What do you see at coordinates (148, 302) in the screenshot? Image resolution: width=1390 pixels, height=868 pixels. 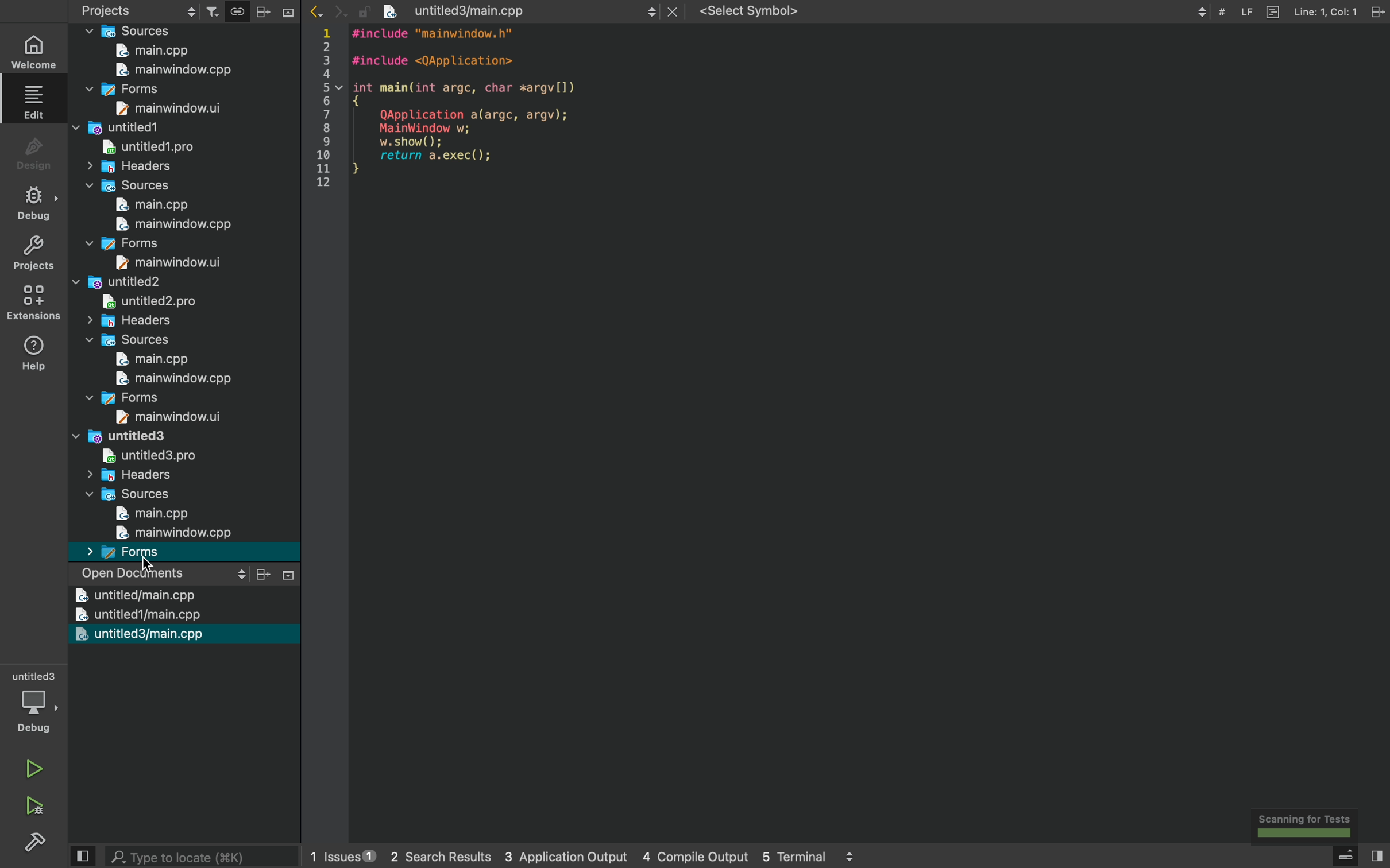 I see `untitled2` at bounding box center [148, 302].